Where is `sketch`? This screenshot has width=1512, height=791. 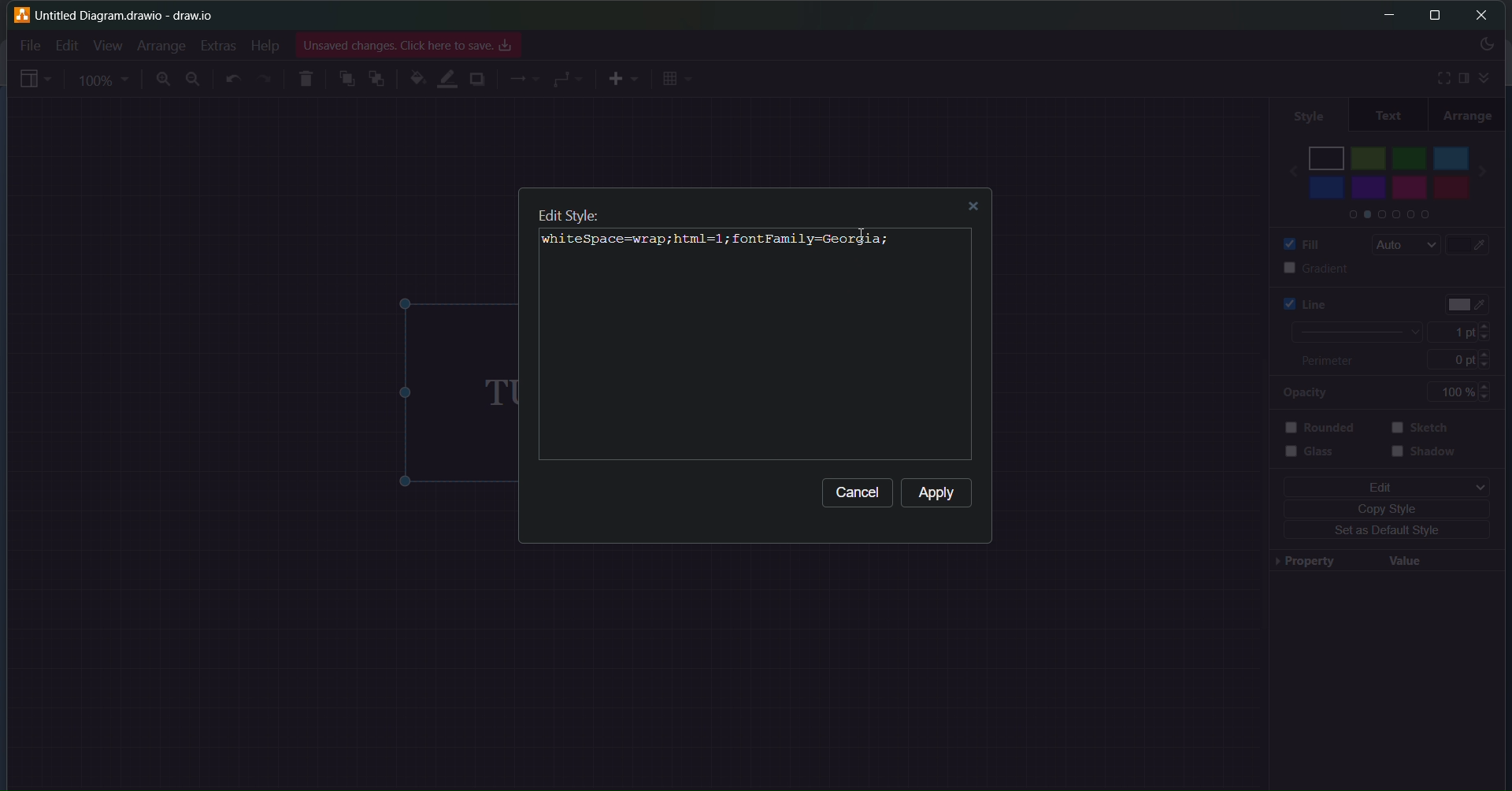
sketch is located at coordinates (1425, 429).